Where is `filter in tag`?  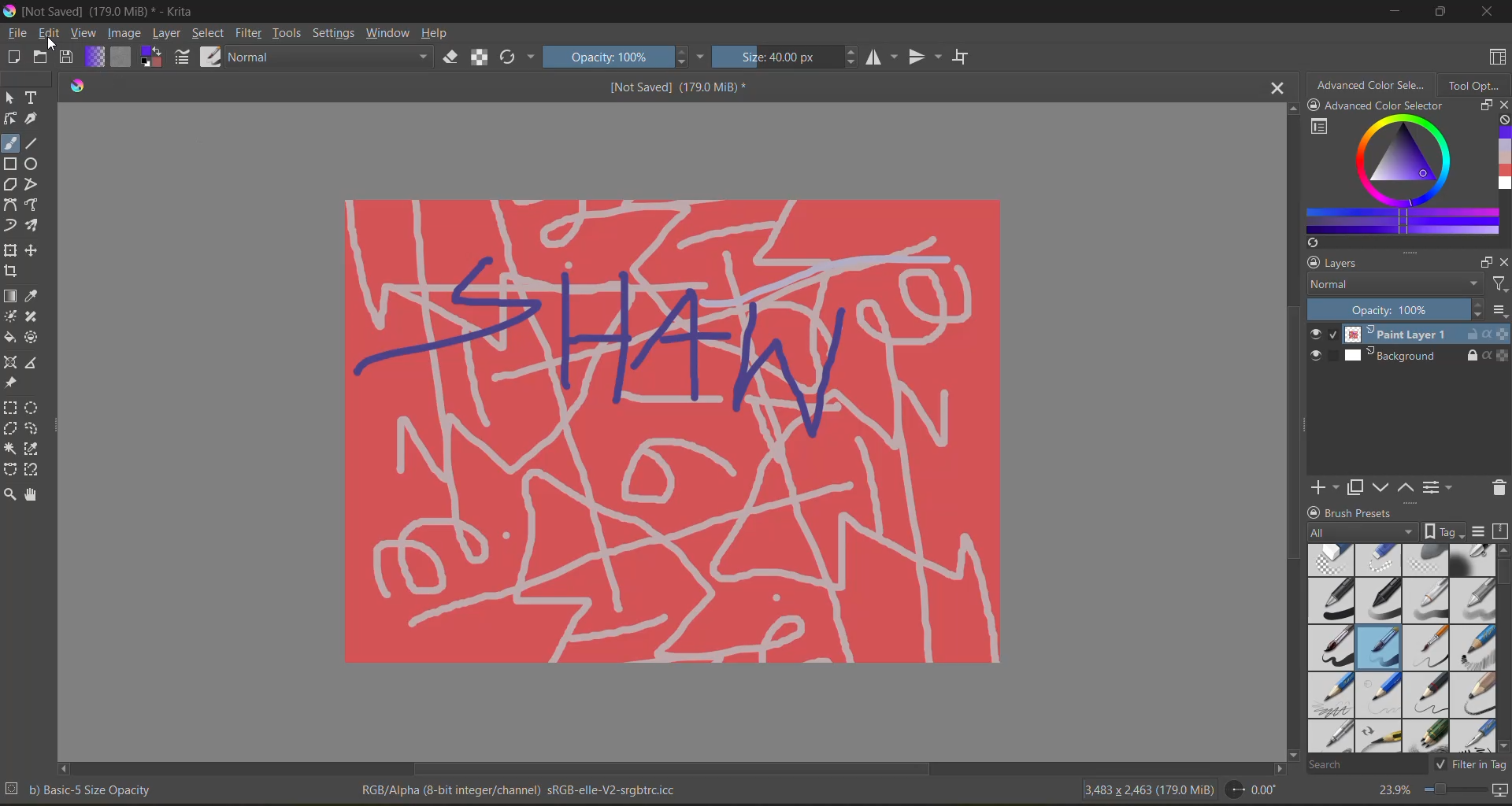
filter in tag is located at coordinates (1473, 765).